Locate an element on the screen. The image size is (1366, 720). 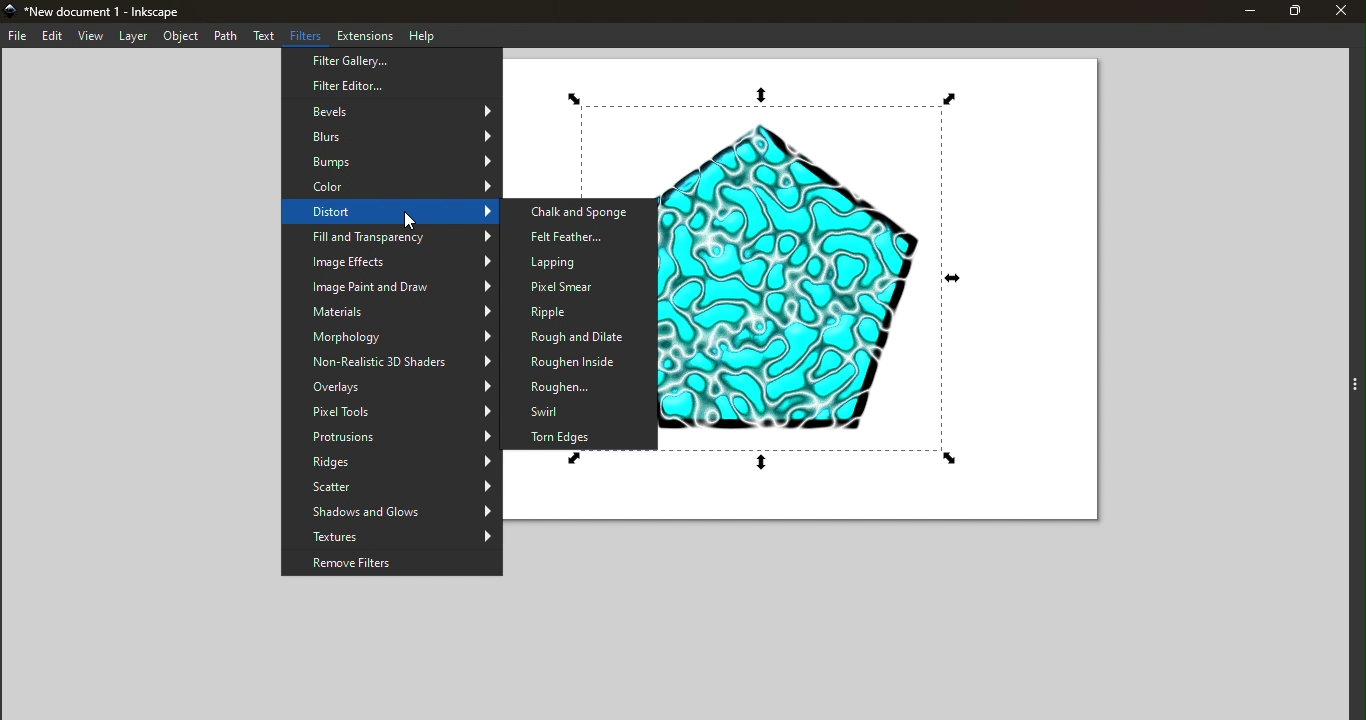
Close is located at coordinates (1345, 10).